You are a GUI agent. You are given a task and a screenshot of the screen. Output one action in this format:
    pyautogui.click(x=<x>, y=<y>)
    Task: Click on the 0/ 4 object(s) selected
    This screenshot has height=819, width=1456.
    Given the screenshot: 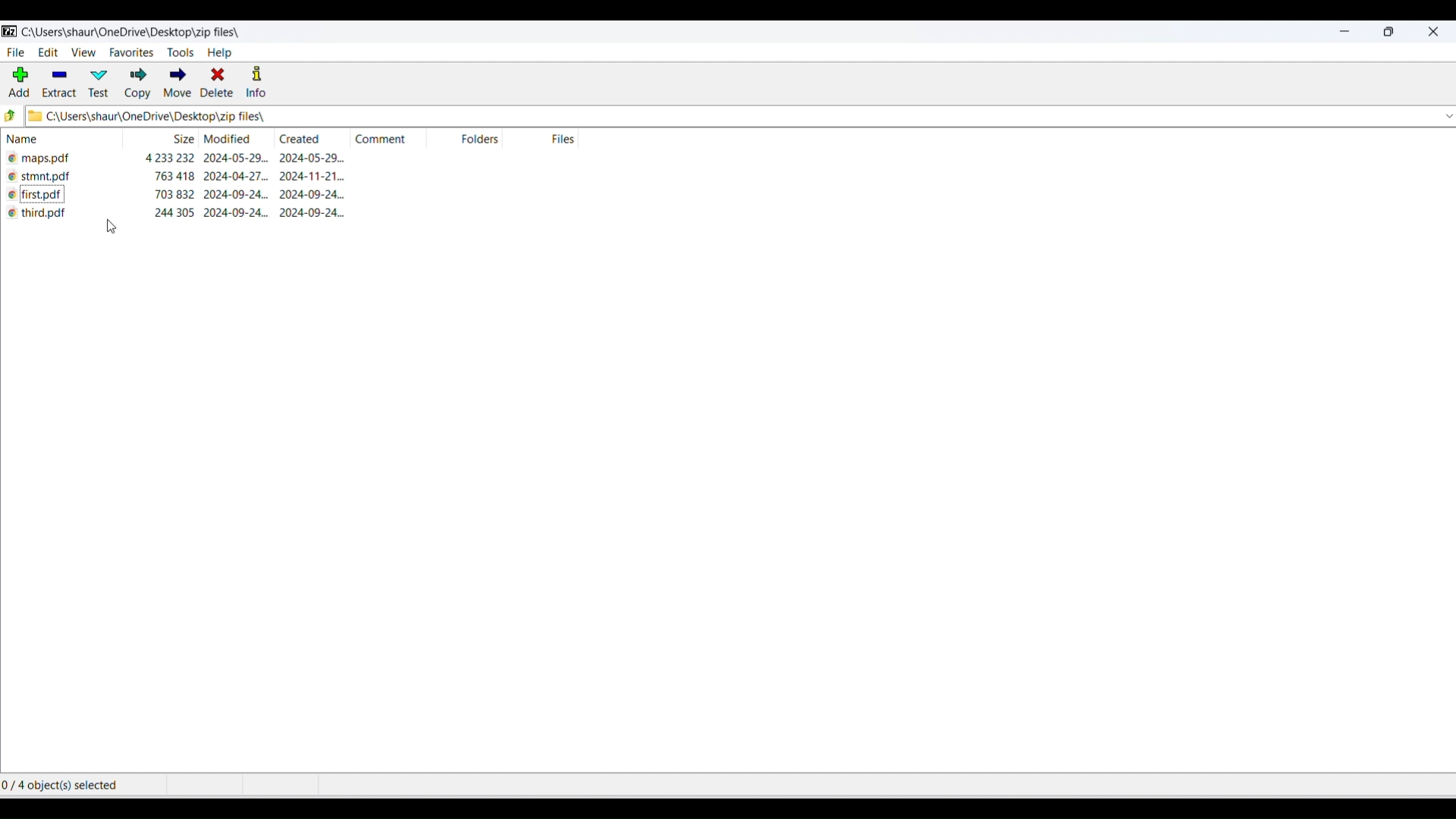 What is the action you would take?
    pyautogui.click(x=63, y=784)
    